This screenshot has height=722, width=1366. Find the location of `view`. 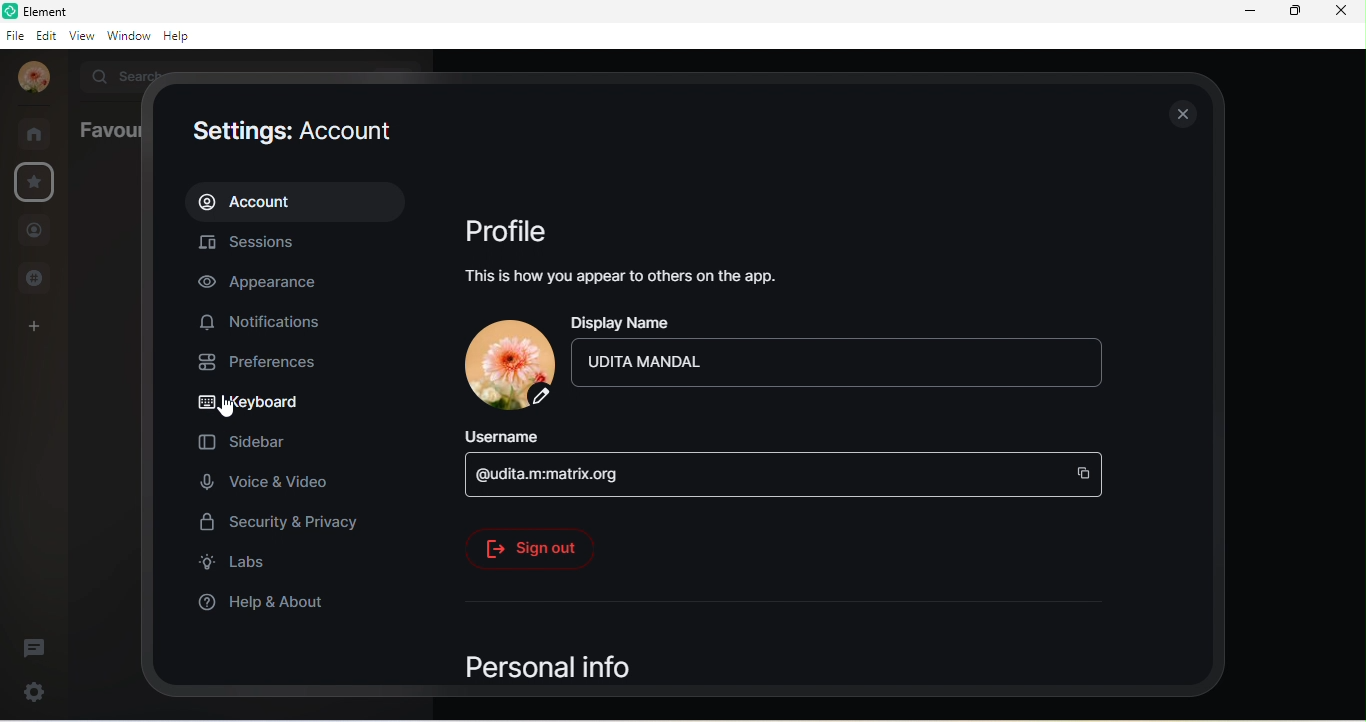

view is located at coordinates (82, 37).